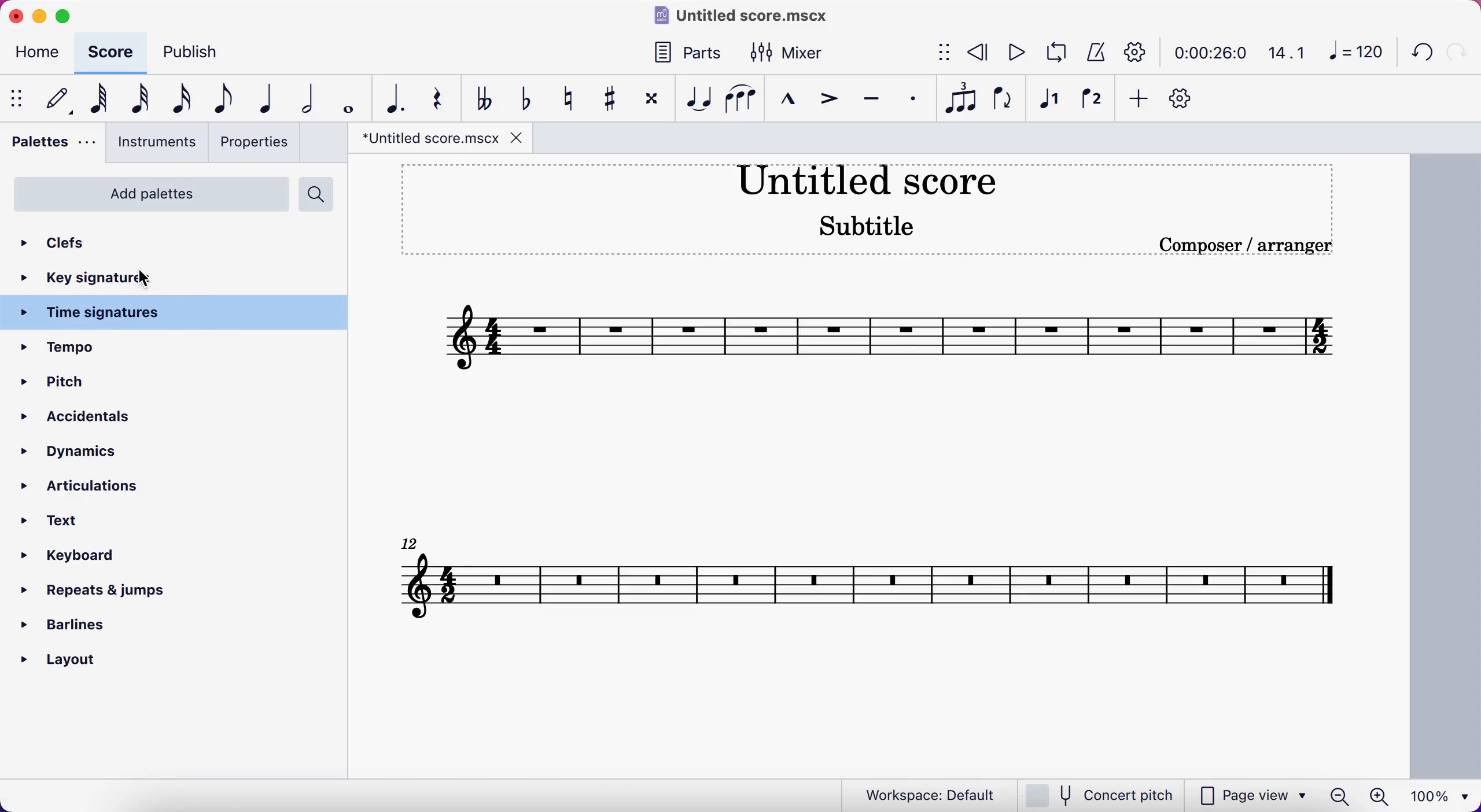 This screenshot has height=812, width=1481. Describe the element at coordinates (396, 97) in the screenshot. I see `augmentation note` at that location.